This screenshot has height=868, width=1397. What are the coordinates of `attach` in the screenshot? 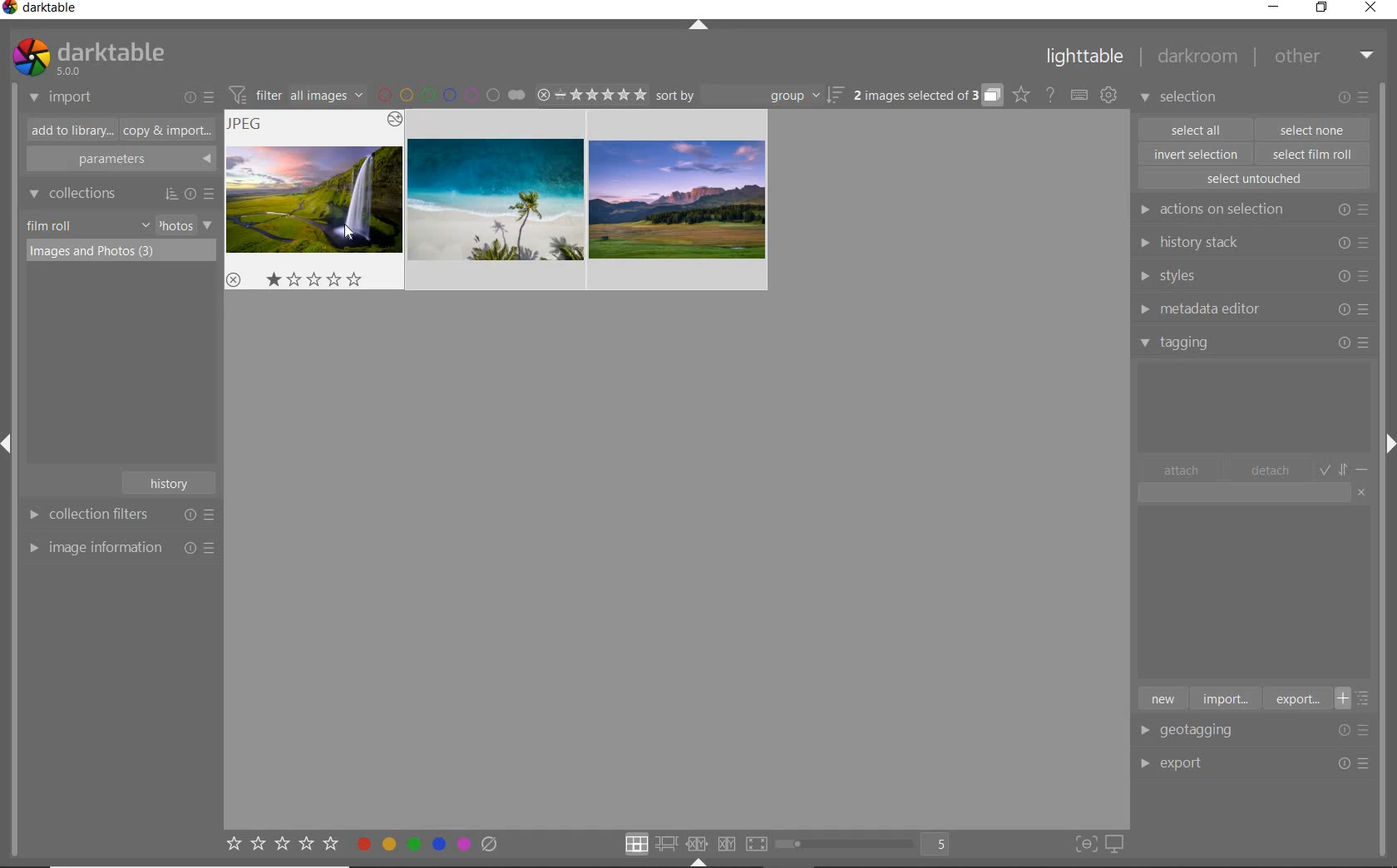 It's located at (1182, 470).